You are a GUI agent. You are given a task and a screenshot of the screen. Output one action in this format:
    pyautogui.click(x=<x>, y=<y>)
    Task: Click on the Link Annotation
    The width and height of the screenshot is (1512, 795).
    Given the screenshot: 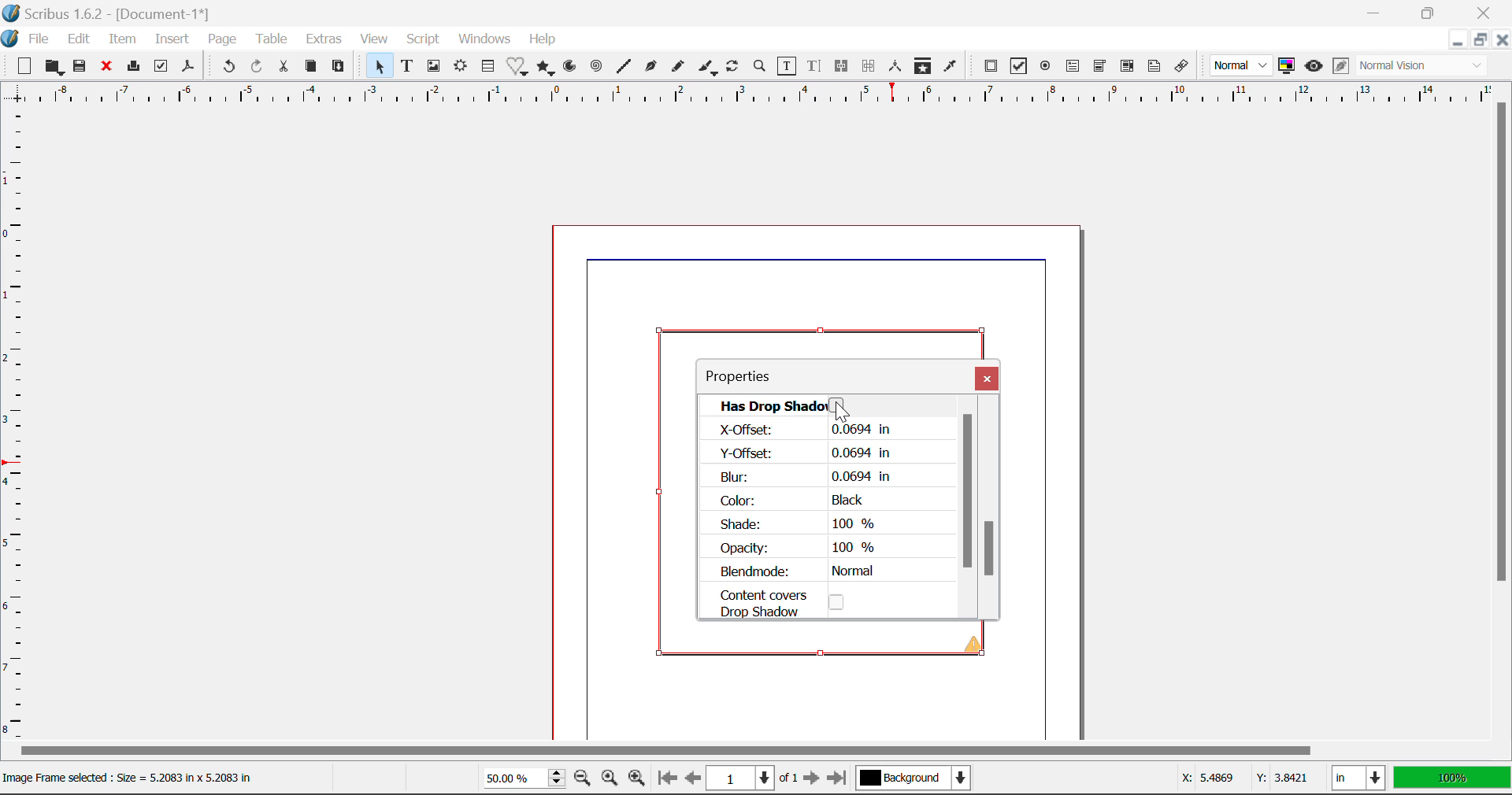 What is the action you would take?
    pyautogui.click(x=1184, y=68)
    